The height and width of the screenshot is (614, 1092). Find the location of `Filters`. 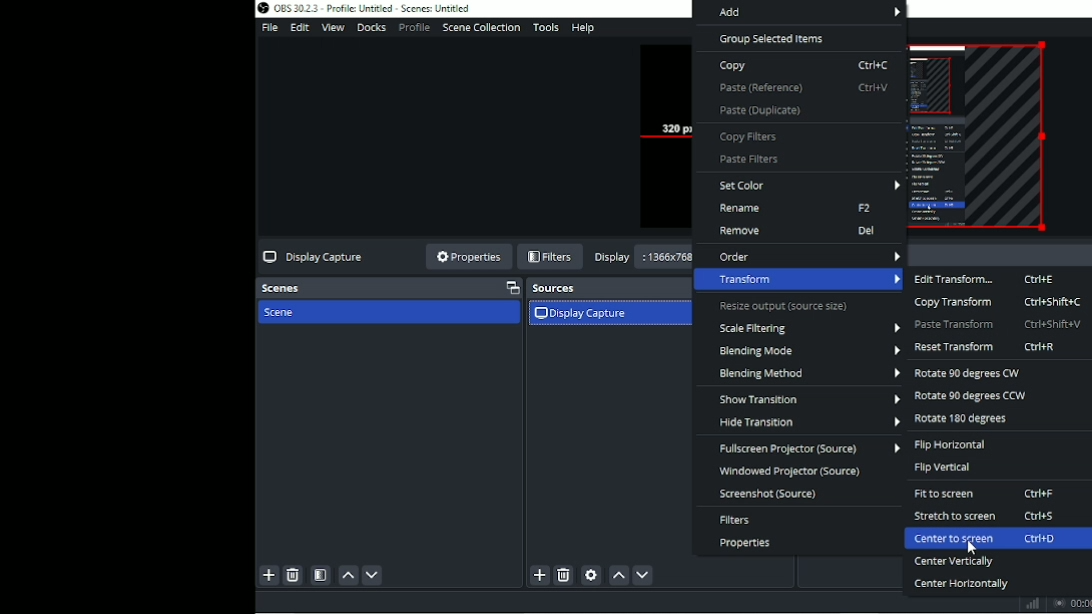

Filters is located at coordinates (550, 257).